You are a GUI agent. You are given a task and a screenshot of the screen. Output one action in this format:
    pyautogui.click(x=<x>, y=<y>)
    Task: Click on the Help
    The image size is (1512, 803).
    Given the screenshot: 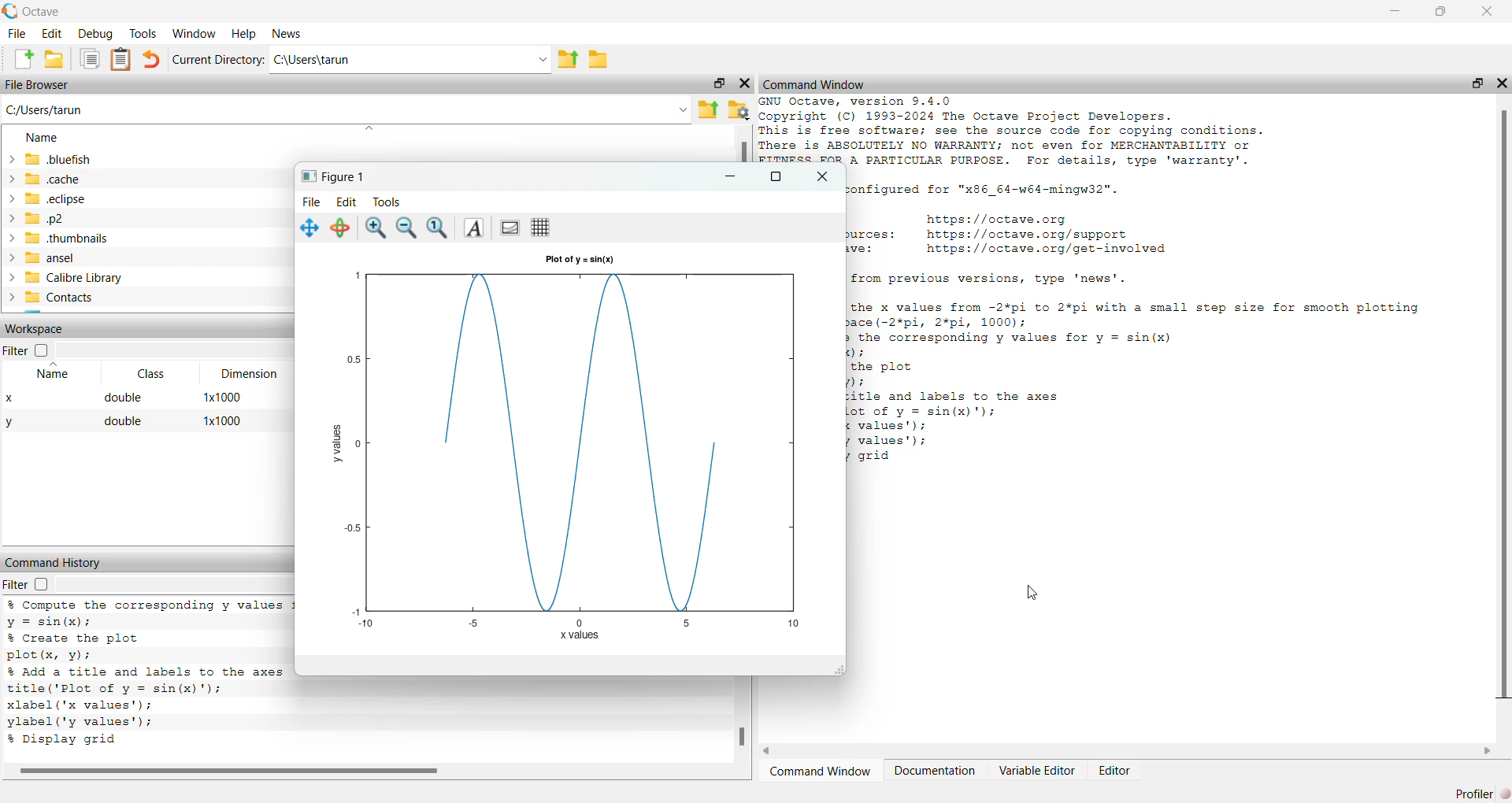 What is the action you would take?
    pyautogui.click(x=244, y=35)
    